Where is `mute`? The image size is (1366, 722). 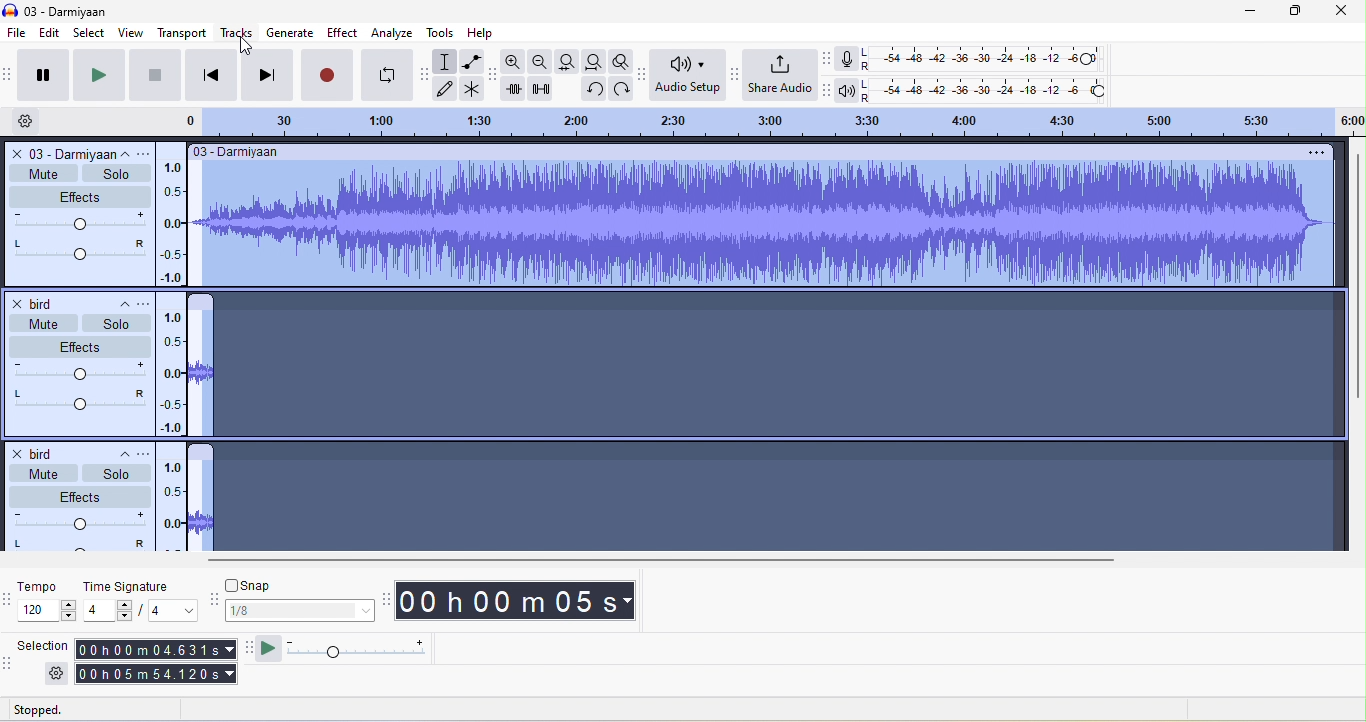 mute is located at coordinates (45, 323).